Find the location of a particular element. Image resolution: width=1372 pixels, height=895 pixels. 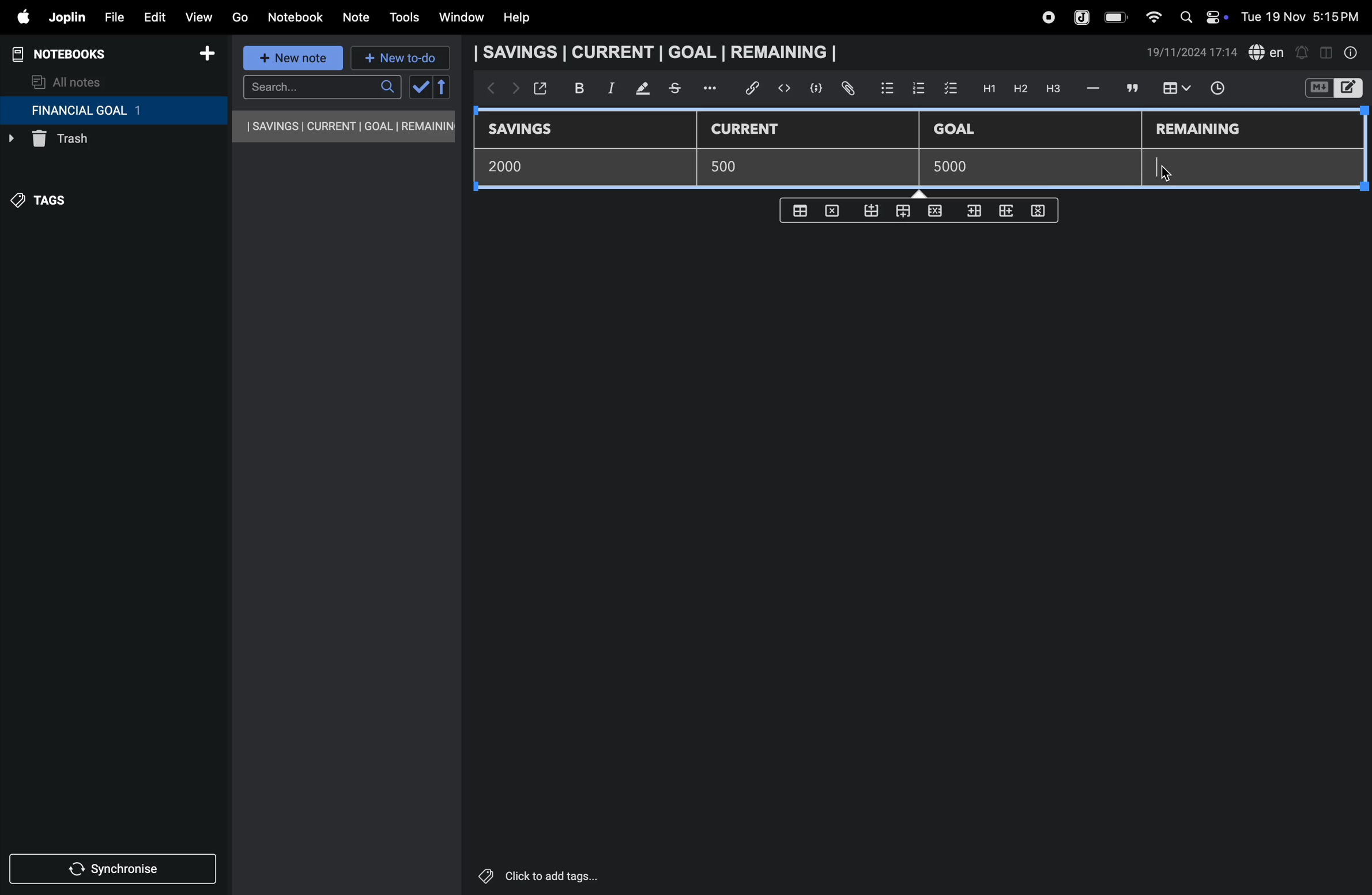

attach file is located at coordinates (847, 89).